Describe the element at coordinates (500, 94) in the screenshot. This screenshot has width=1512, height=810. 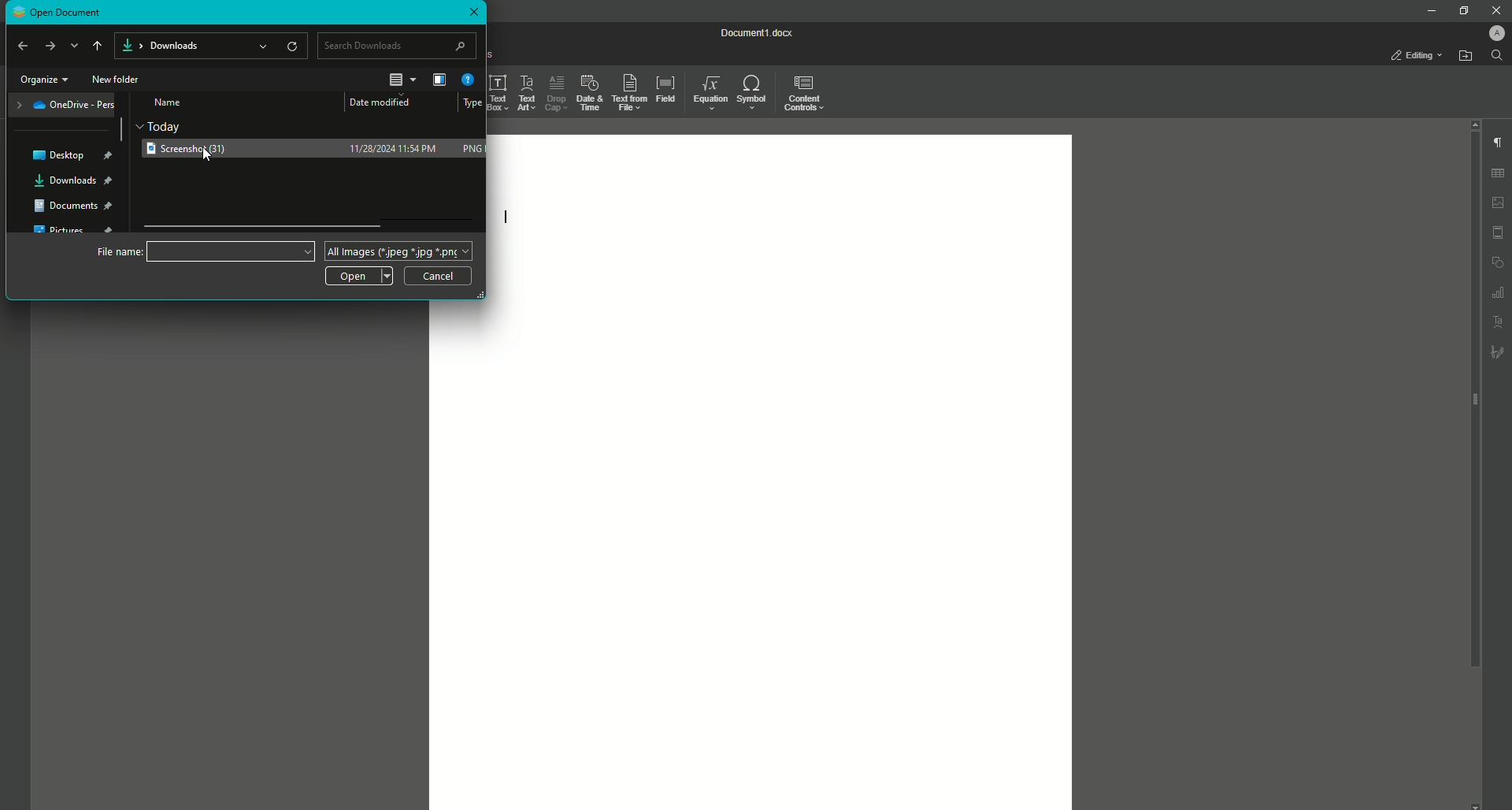
I see `Text Box` at that location.